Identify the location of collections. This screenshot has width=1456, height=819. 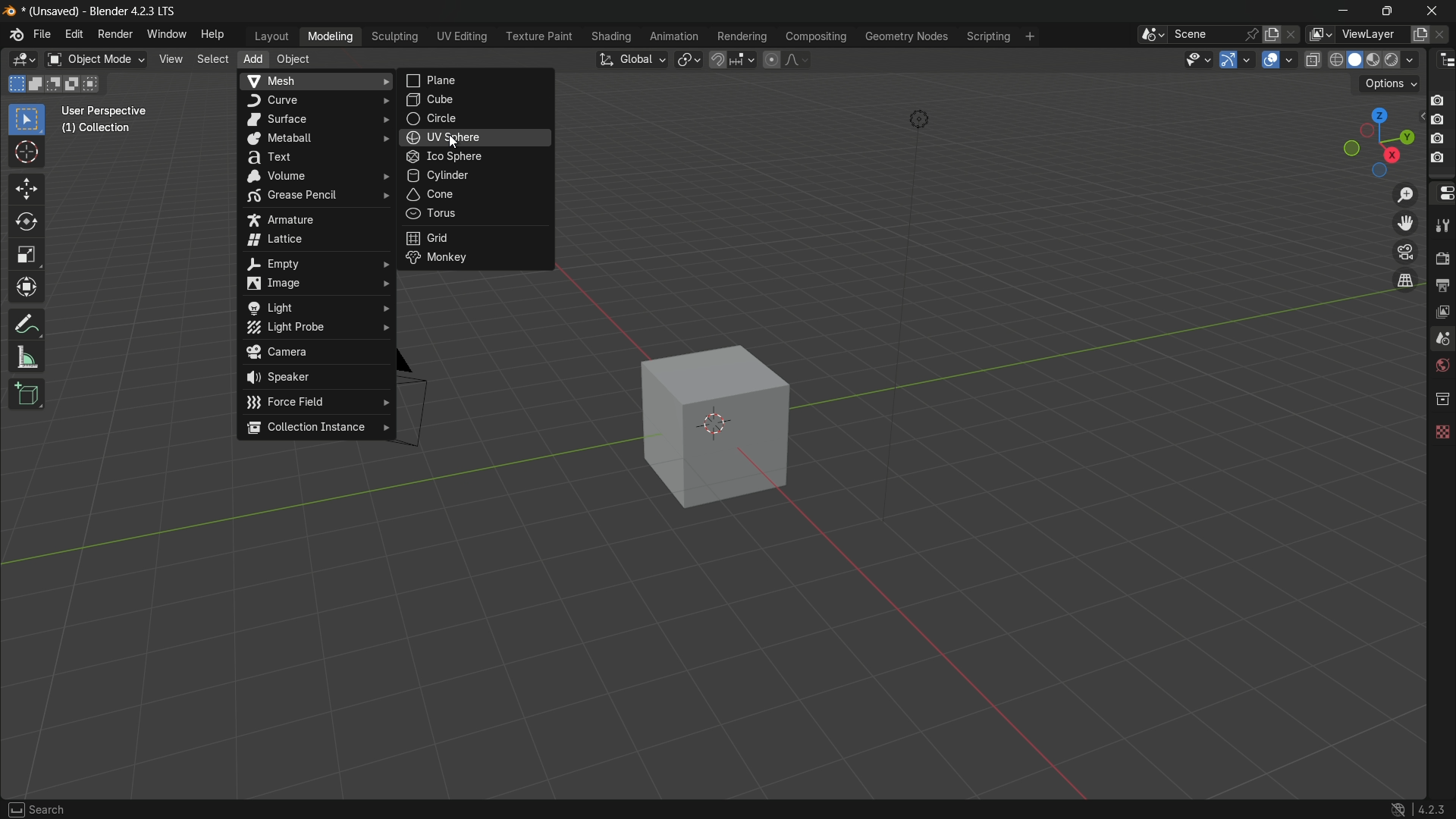
(1441, 399).